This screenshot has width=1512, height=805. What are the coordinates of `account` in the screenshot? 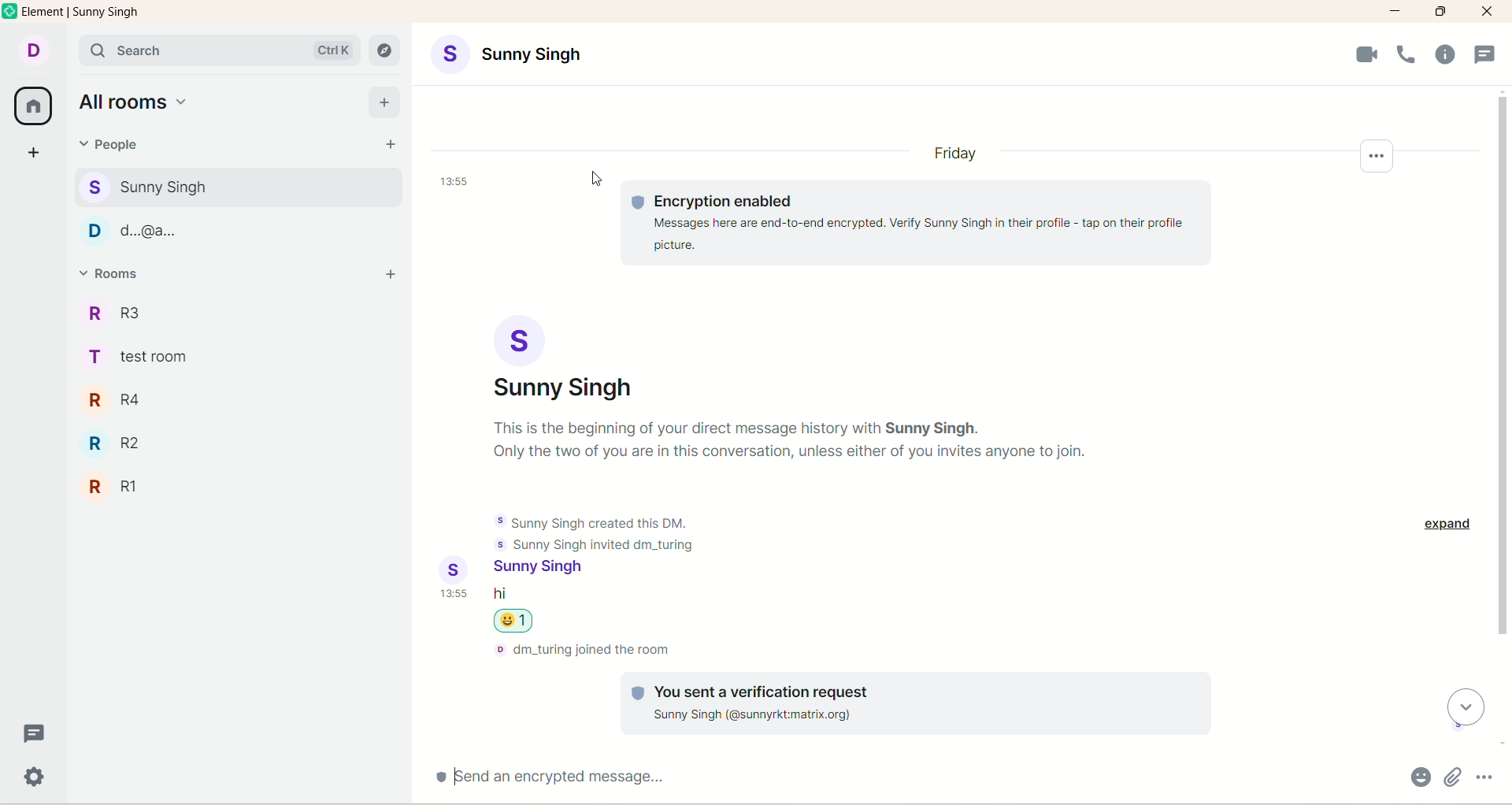 It's located at (32, 51).